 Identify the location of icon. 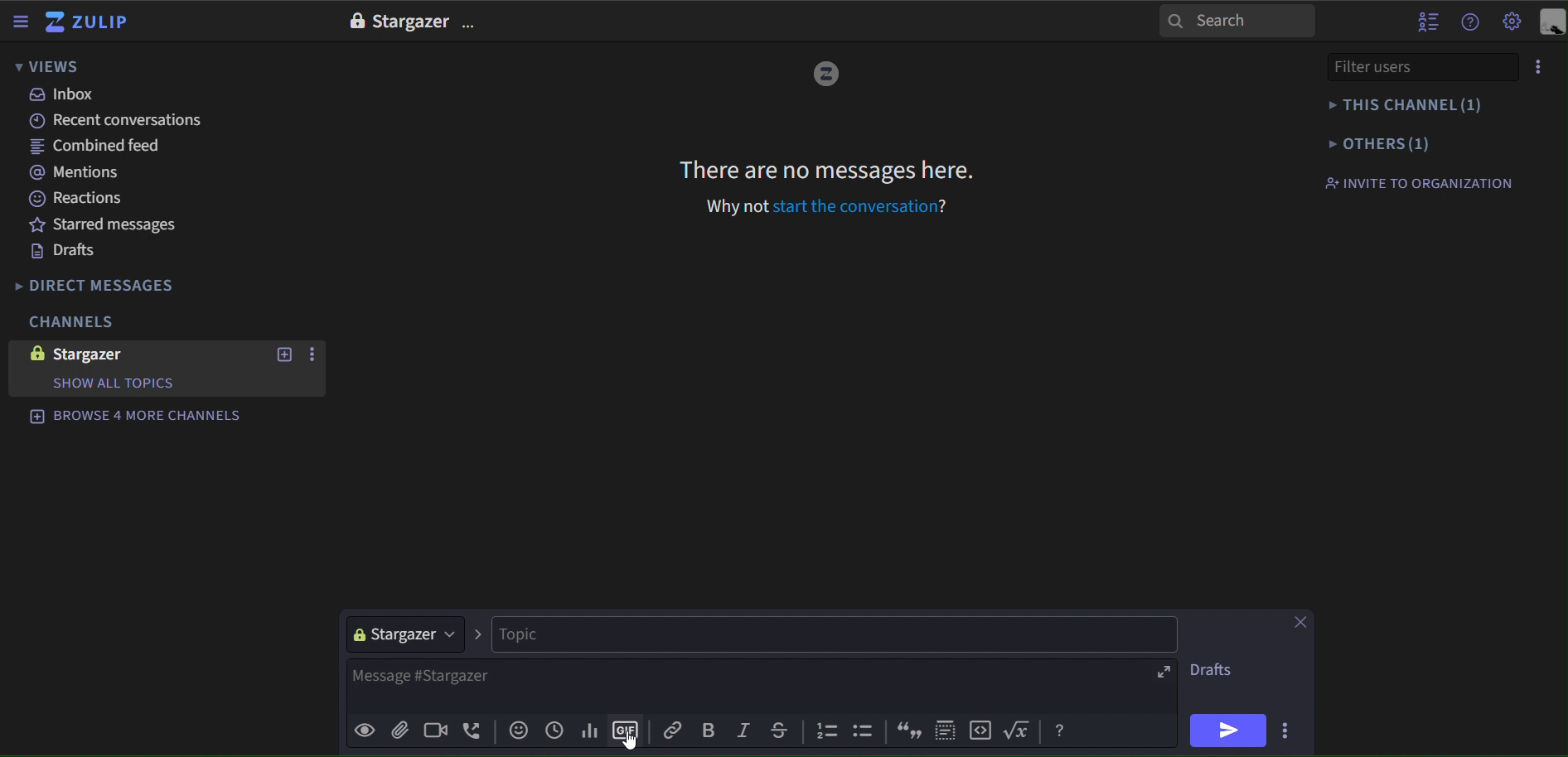
(866, 733).